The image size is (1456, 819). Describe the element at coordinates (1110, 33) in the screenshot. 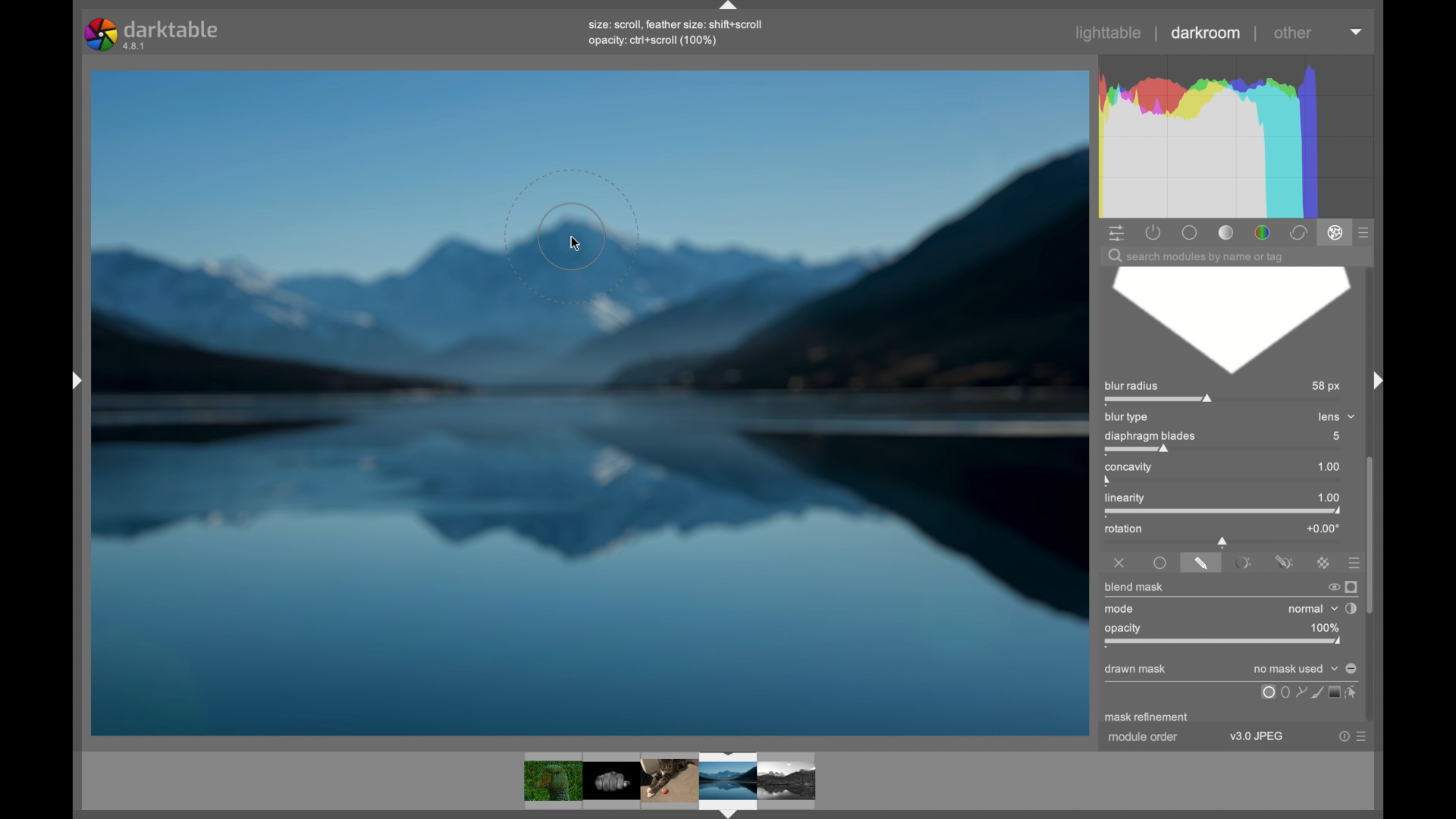

I see `lighttable` at that location.